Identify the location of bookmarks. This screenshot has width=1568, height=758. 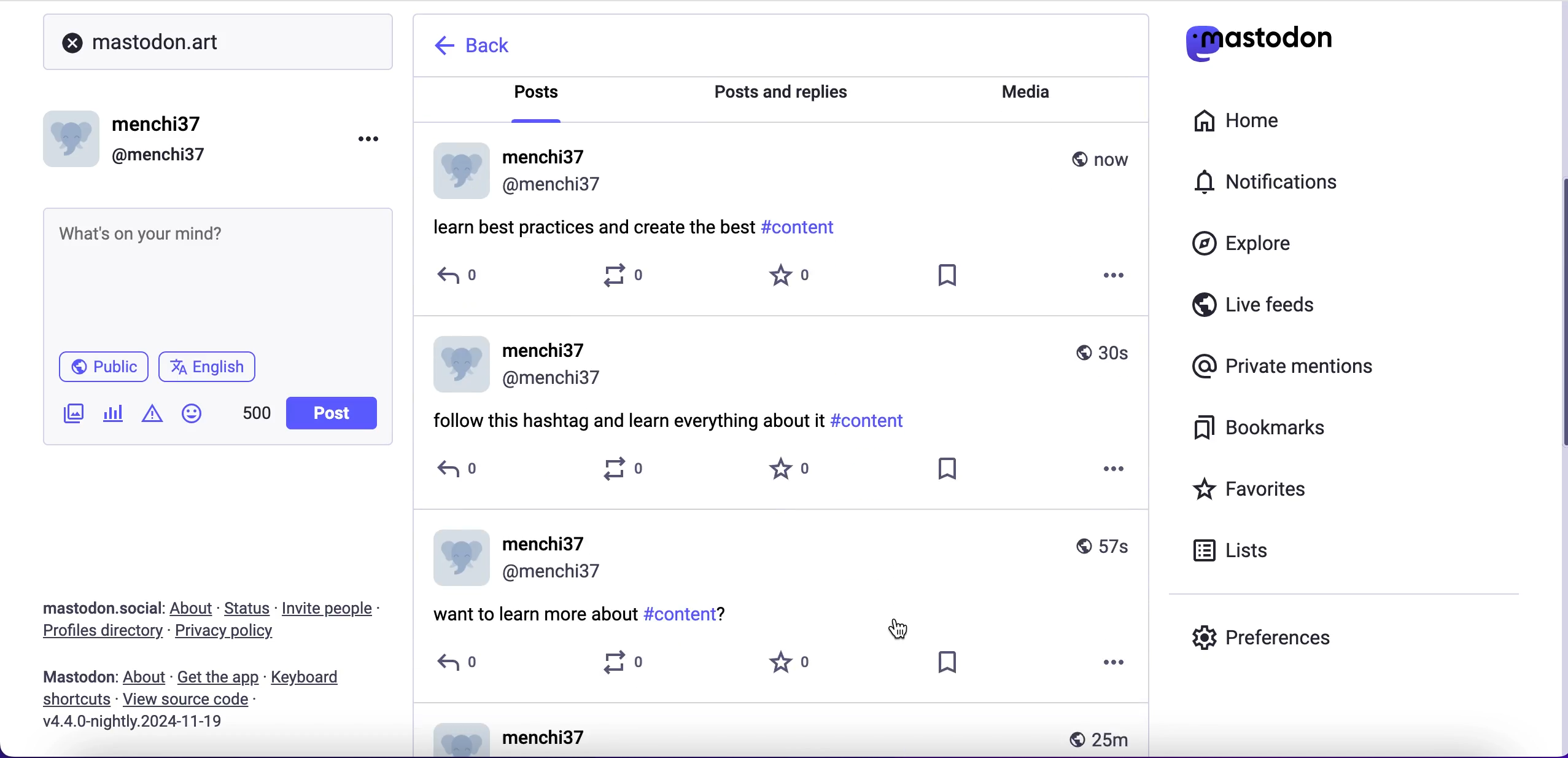
(1269, 432).